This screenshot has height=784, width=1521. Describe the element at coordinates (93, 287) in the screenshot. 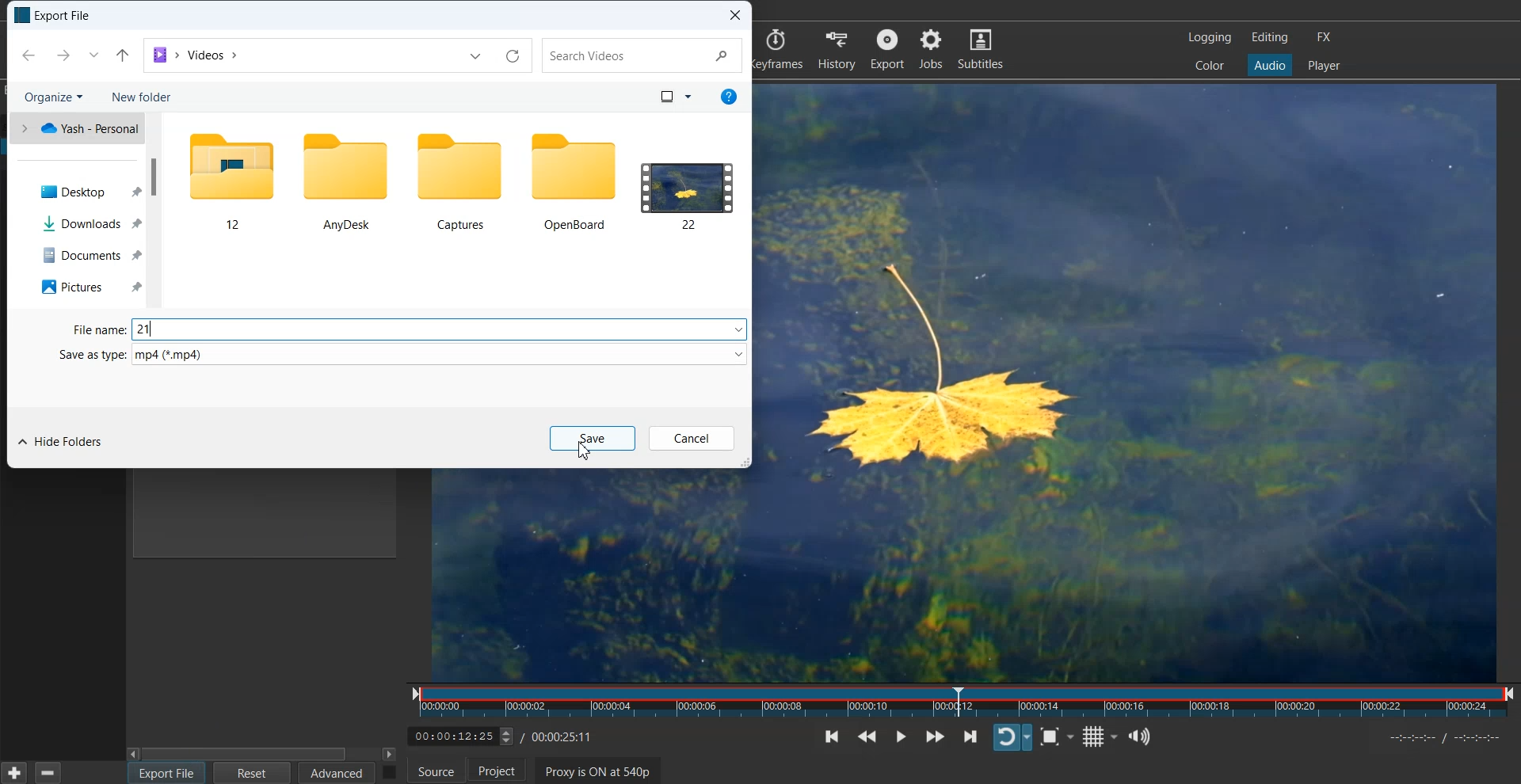

I see `Pictures` at that location.